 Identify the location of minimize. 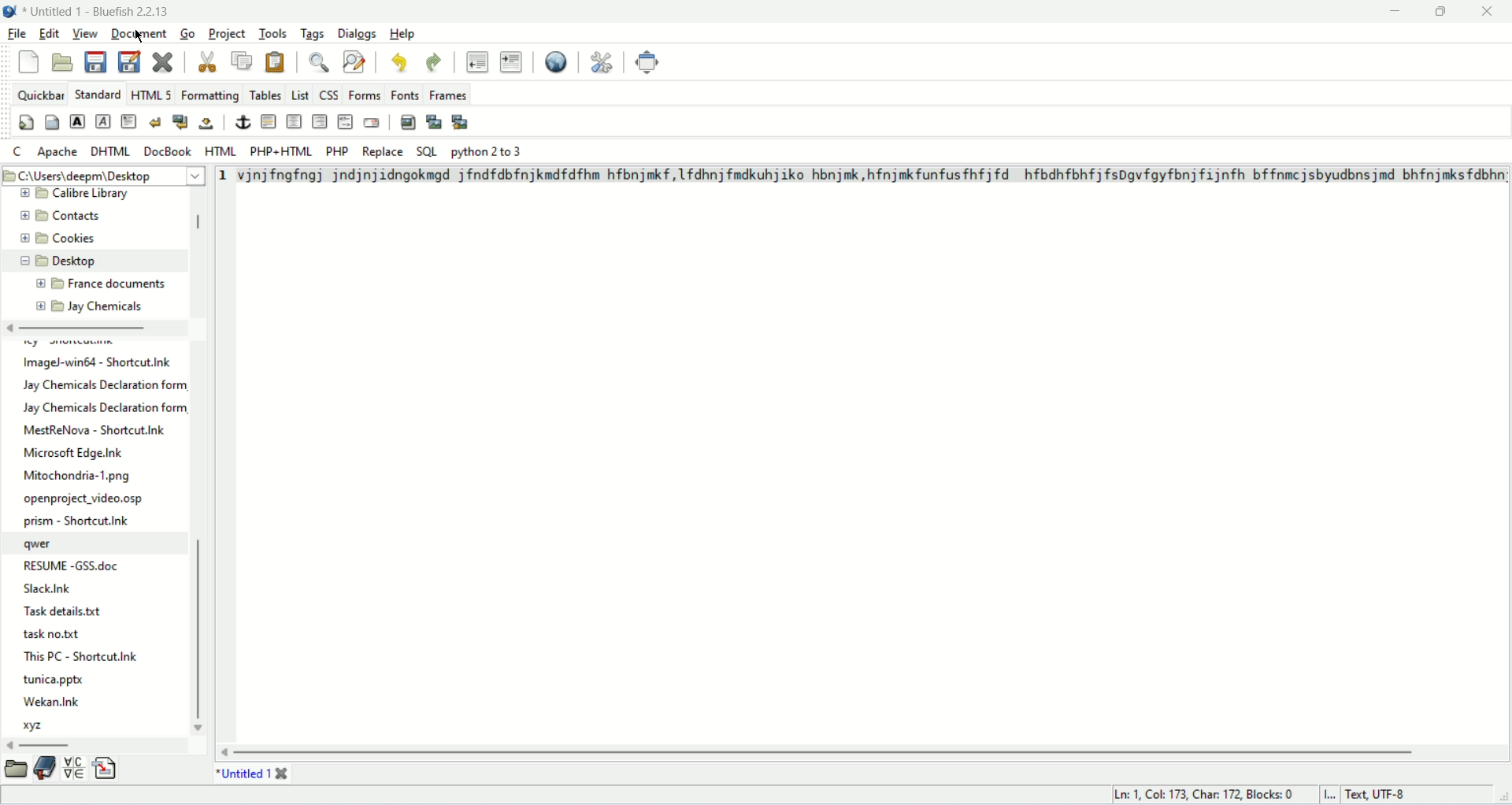
(1395, 11).